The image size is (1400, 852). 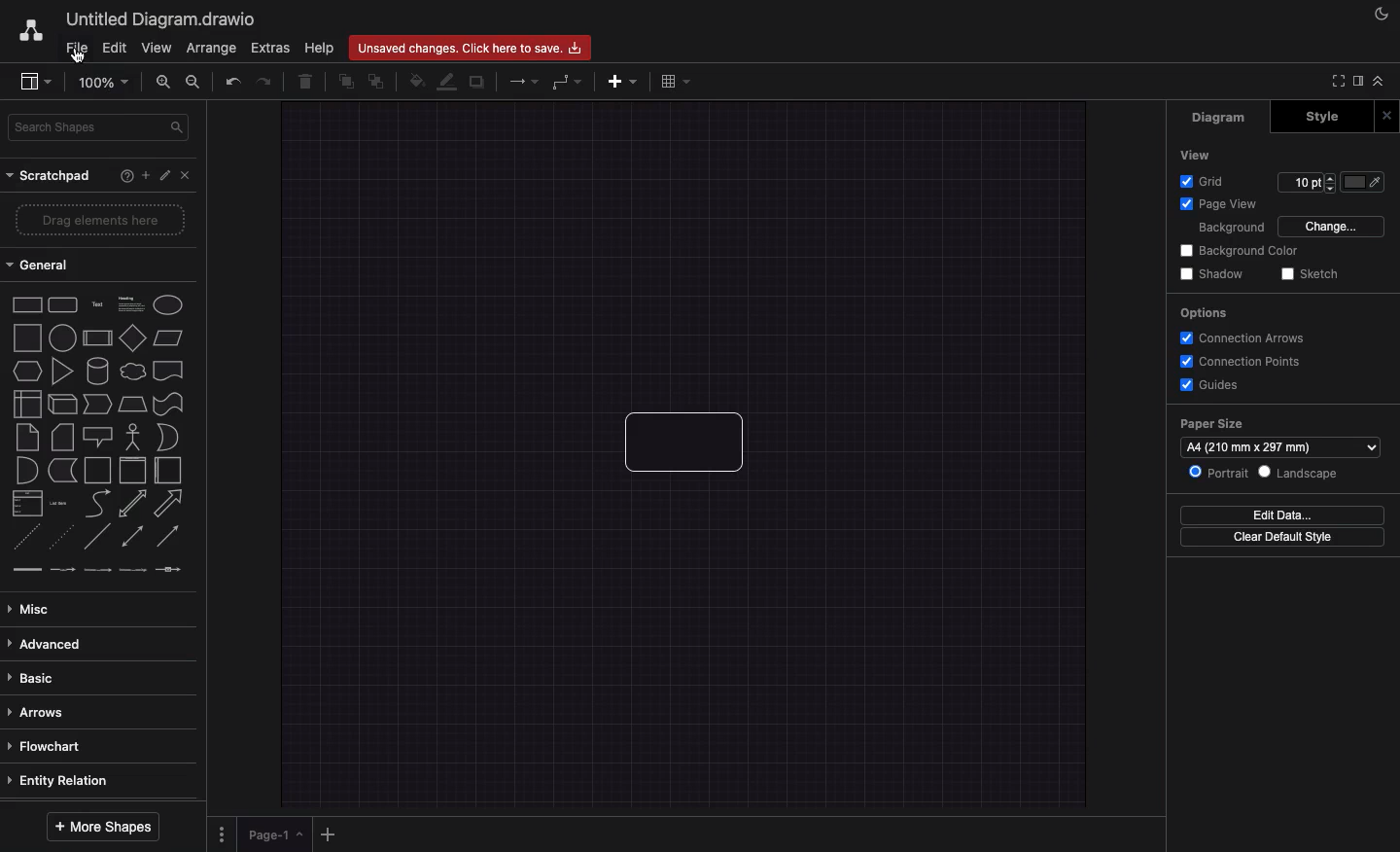 I want to click on Connections points, so click(x=1242, y=362).